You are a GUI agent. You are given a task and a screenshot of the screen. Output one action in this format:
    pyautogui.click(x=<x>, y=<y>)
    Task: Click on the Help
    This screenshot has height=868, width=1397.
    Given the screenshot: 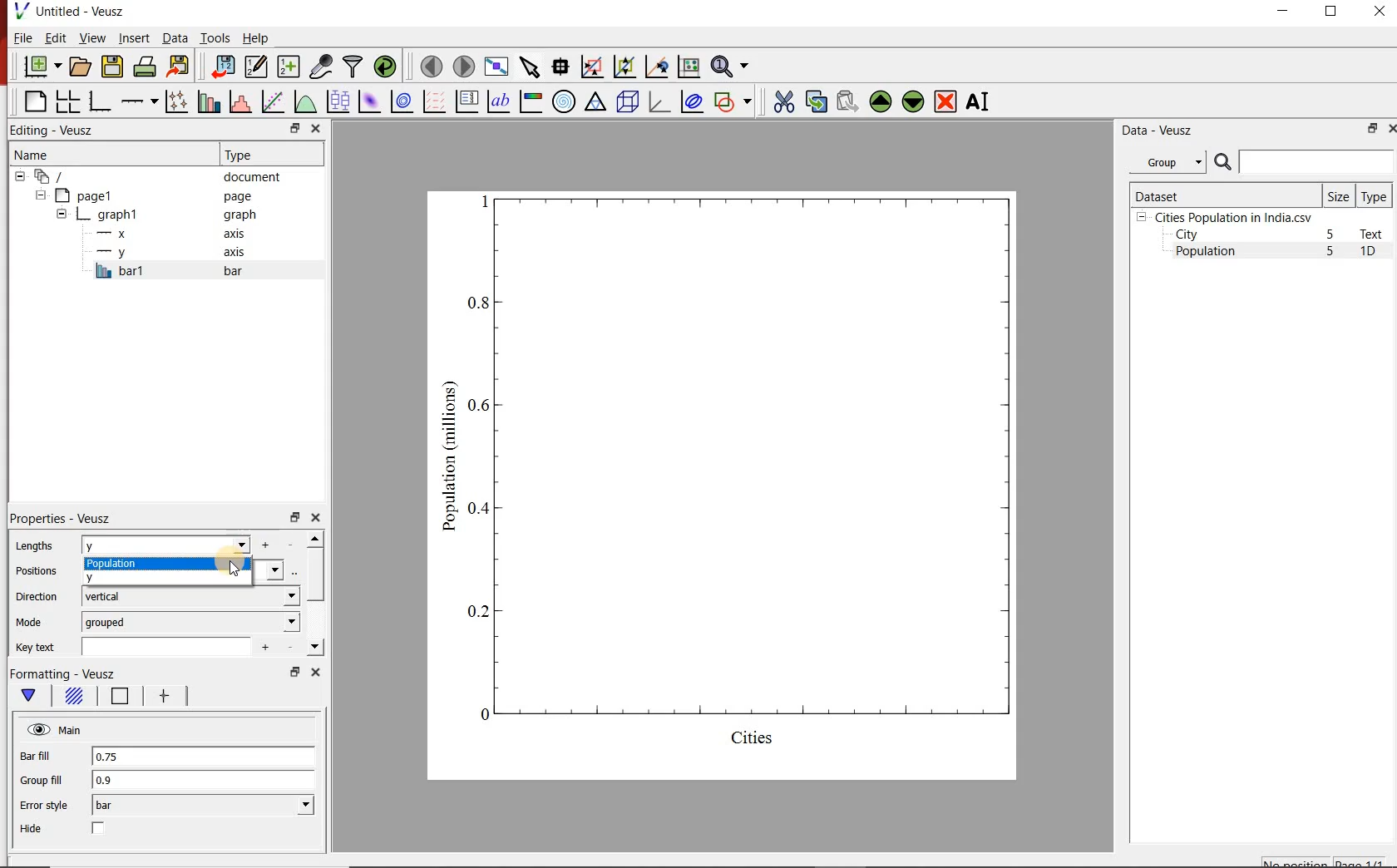 What is the action you would take?
    pyautogui.click(x=257, y=37)
    